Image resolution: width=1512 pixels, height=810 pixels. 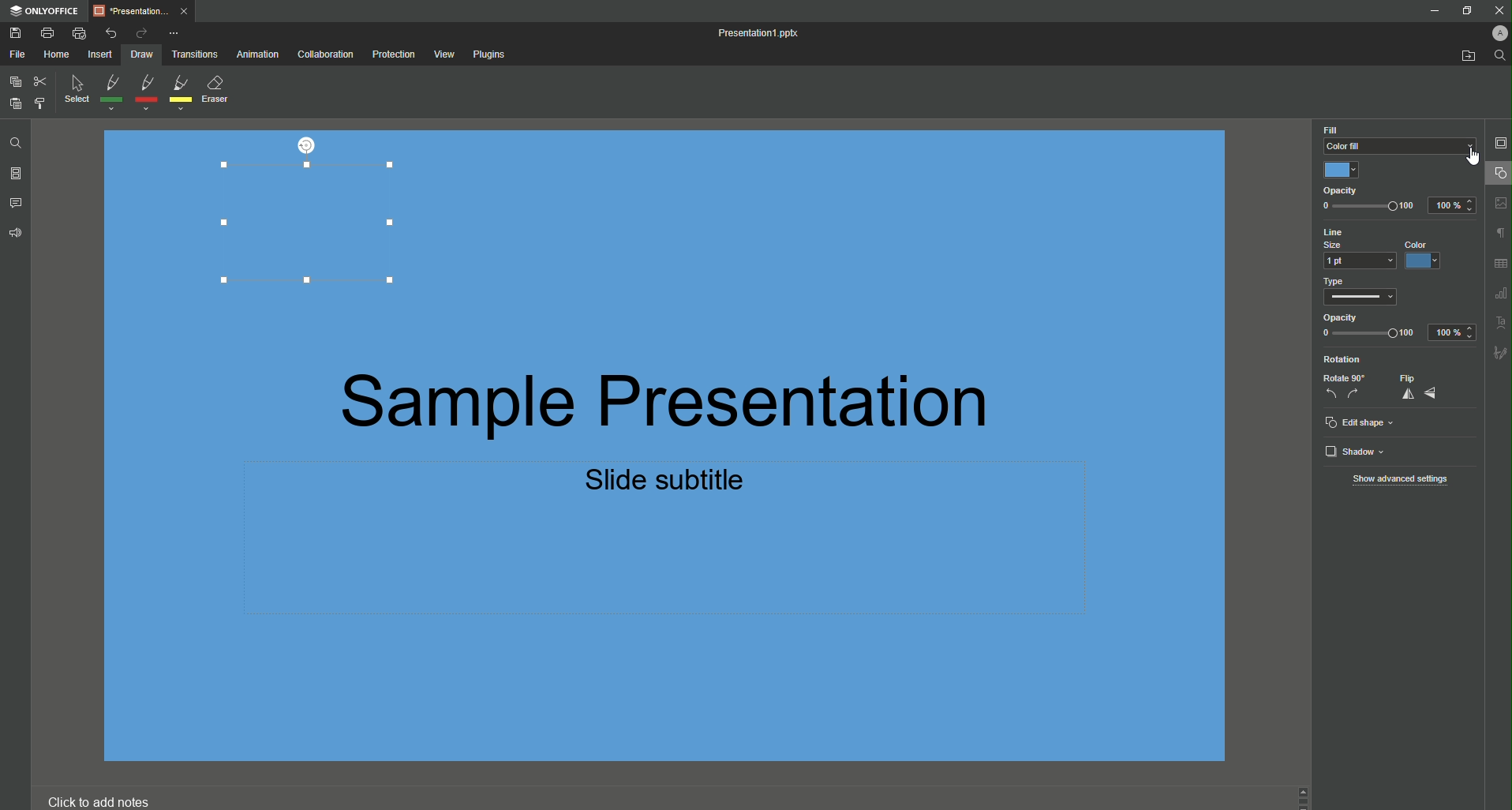 I want to click on Feedback, so click(x=15, y=236).